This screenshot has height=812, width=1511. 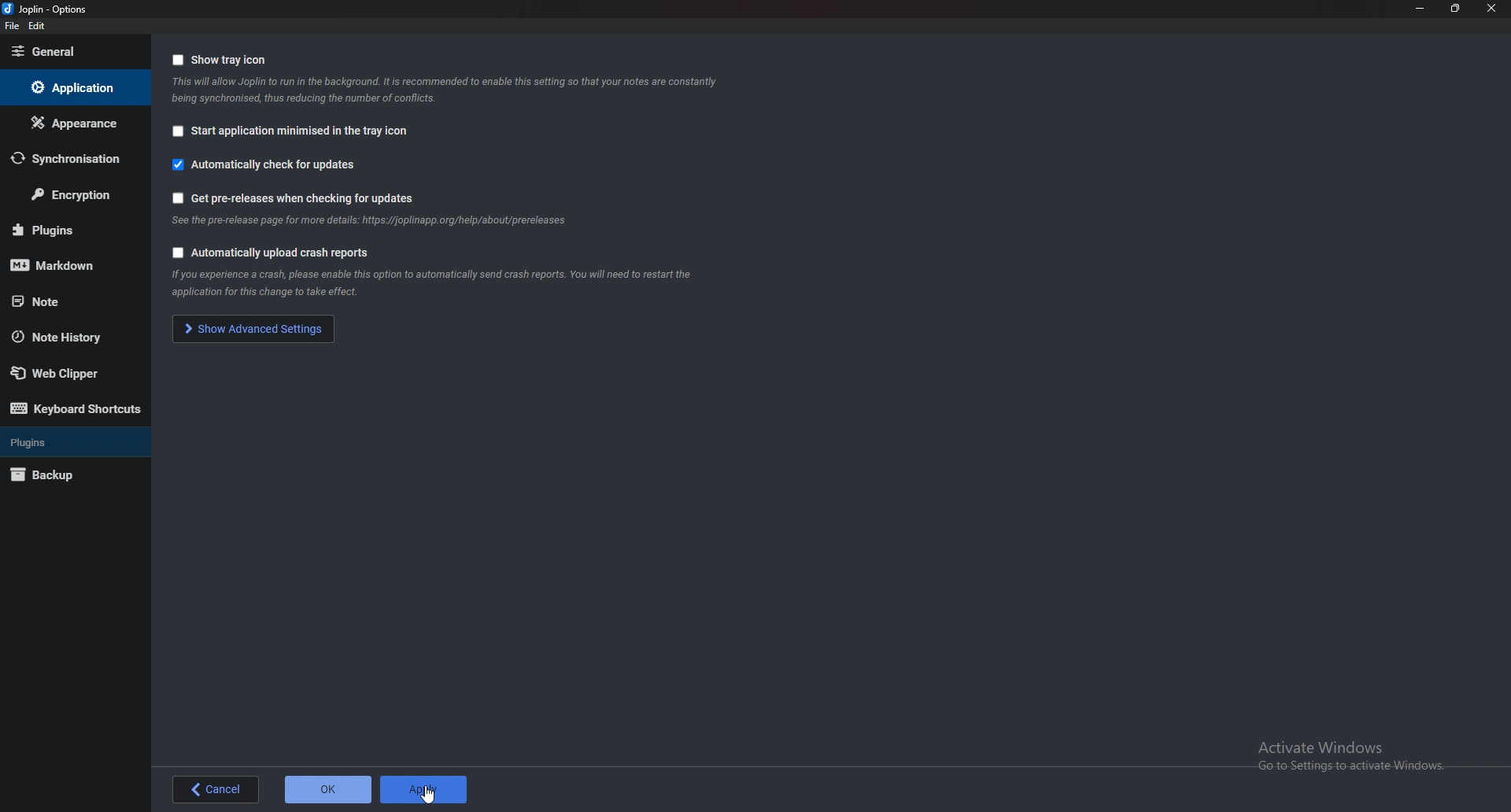 I want to click on Plugins, so click(x=67, y=442).